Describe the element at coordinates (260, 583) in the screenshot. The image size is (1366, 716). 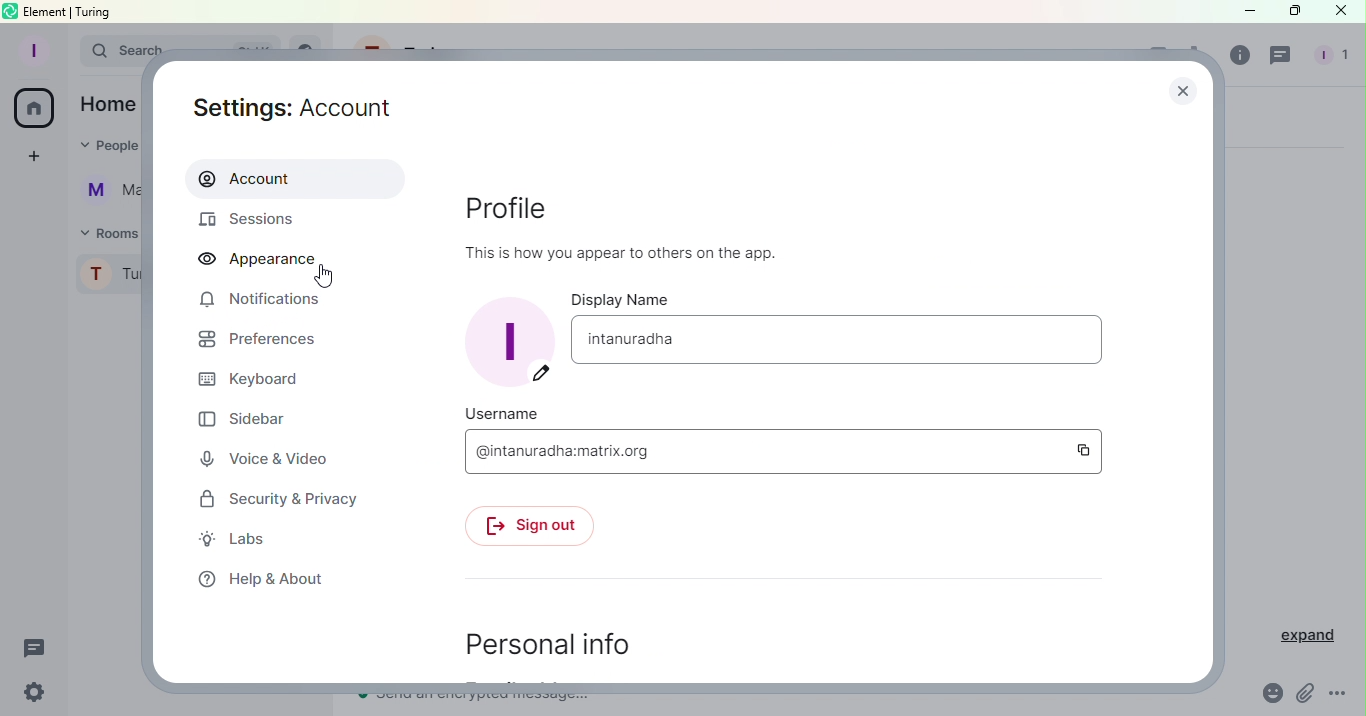
I see `Help and about` at that location.